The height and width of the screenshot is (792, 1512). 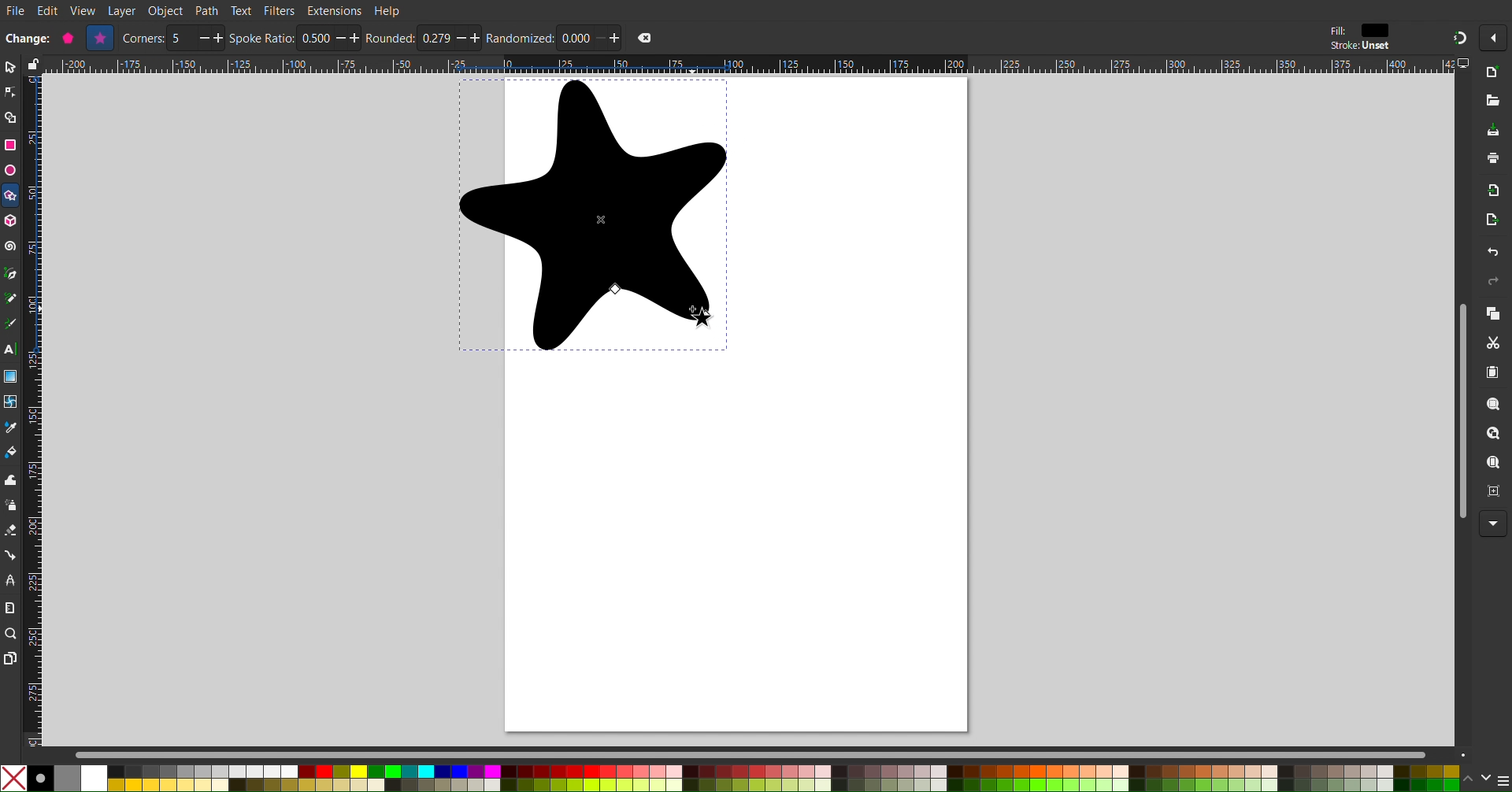 What do you see at coordinates (9, 660) in the screenshot?
I see `Pages` at bounding box center [9, 660].